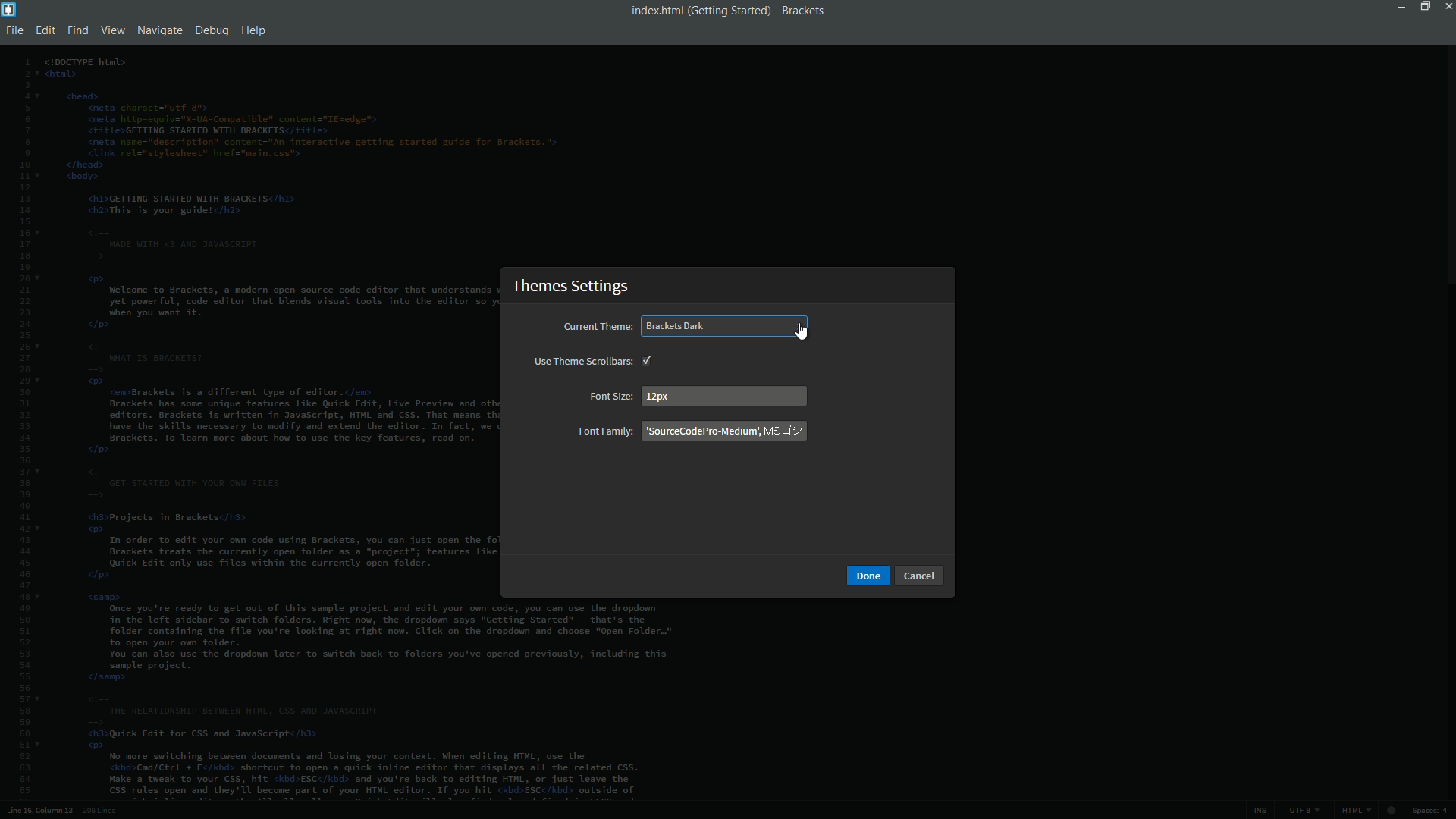  Describe the element at coordinates (9, 8) in the screenshot. I see `app icon` at that location.